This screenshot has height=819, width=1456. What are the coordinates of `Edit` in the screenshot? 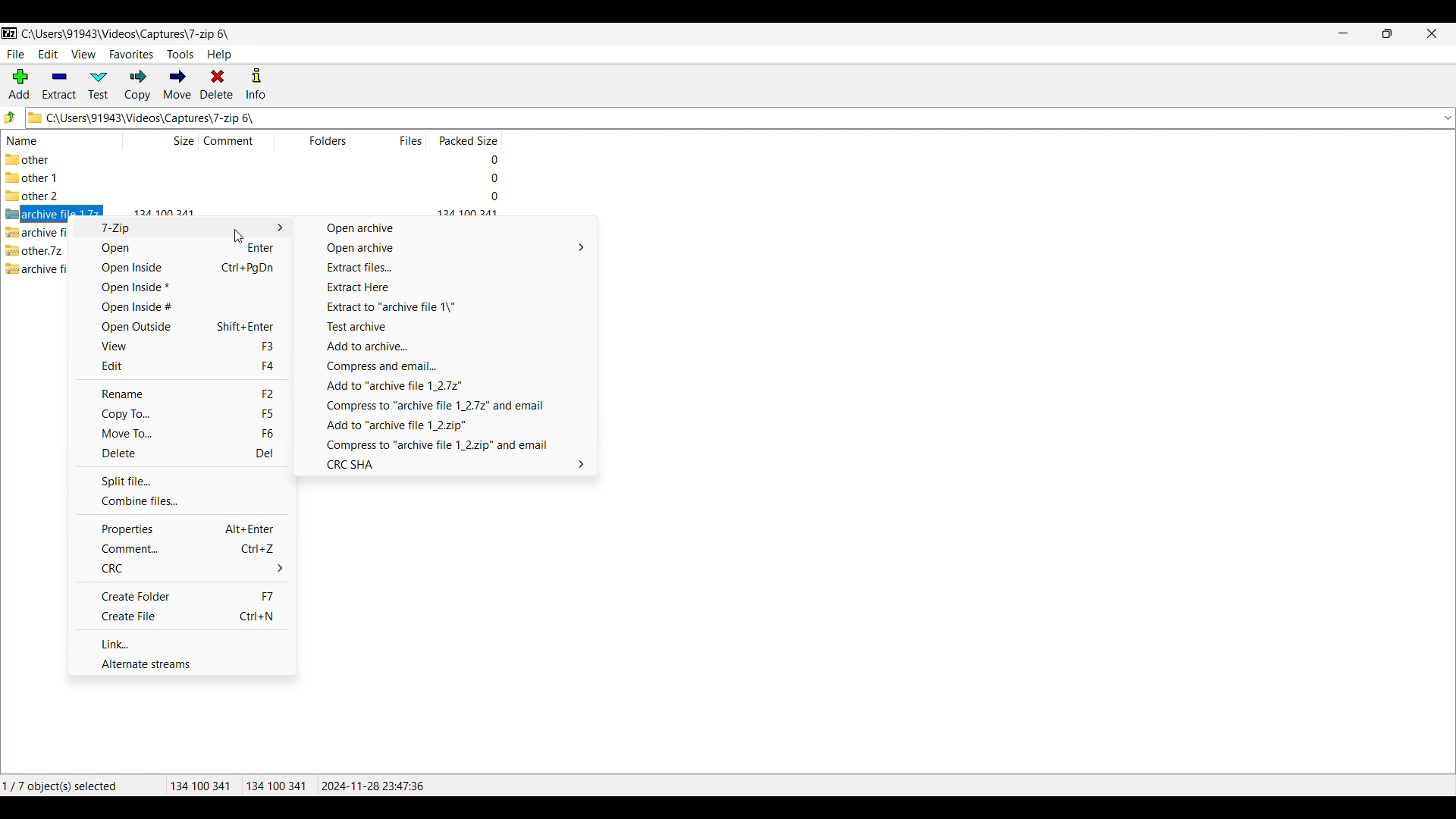 It's located at (180, 366).